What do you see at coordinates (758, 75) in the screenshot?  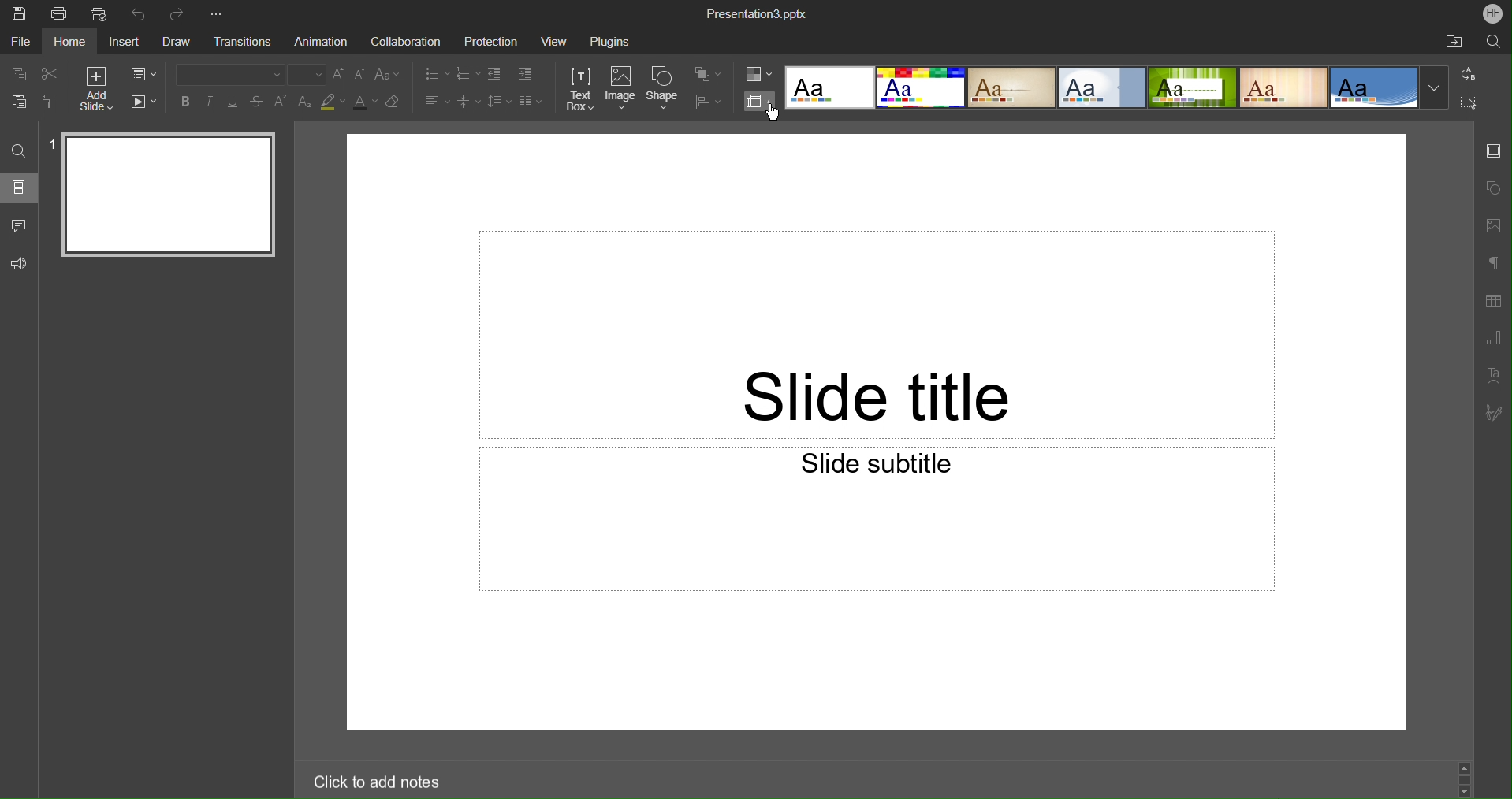 I see `Change Color Themes` at bounding box center [758, 75].